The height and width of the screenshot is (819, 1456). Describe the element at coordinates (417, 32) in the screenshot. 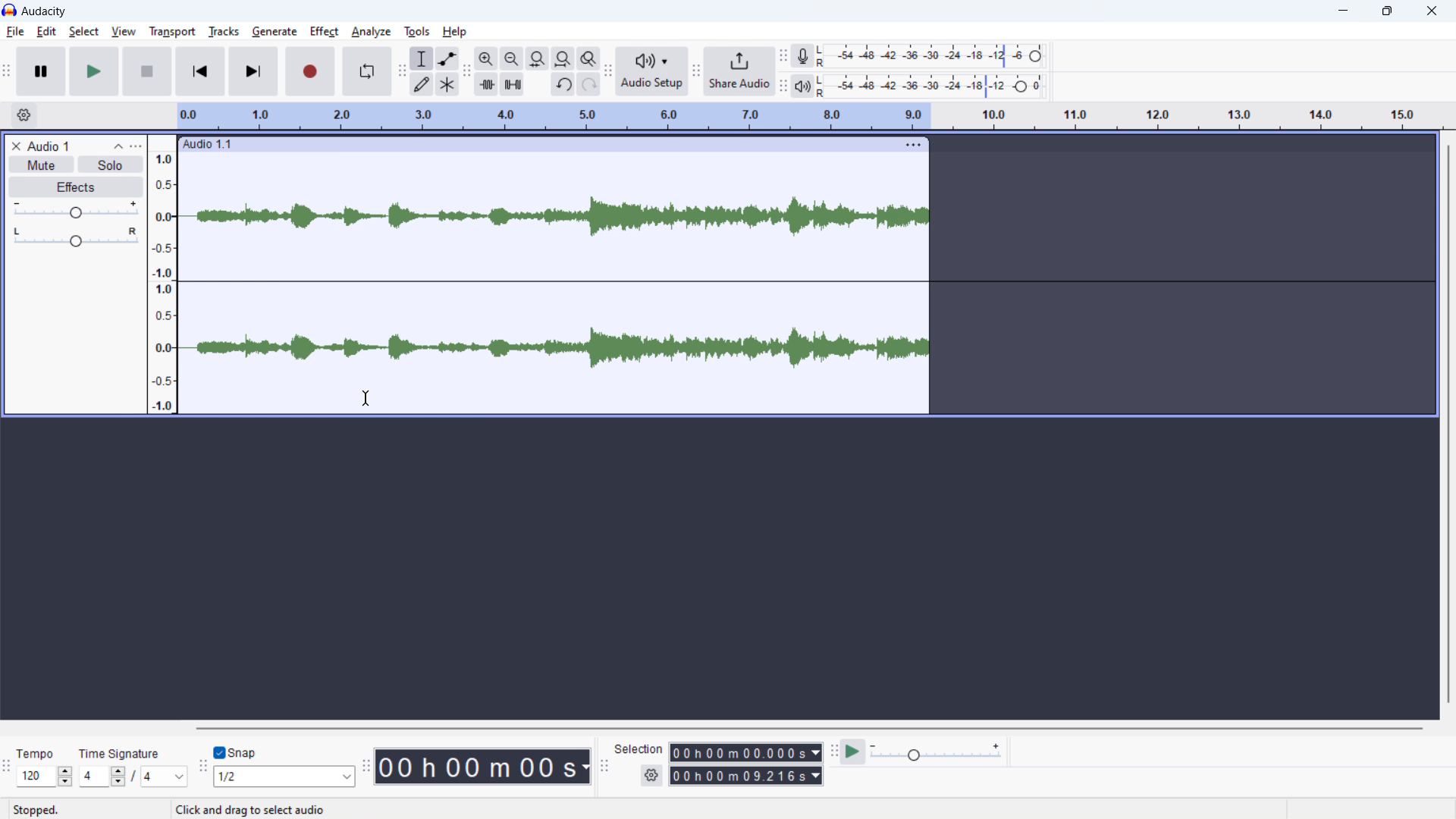

I see `tools` at that location.